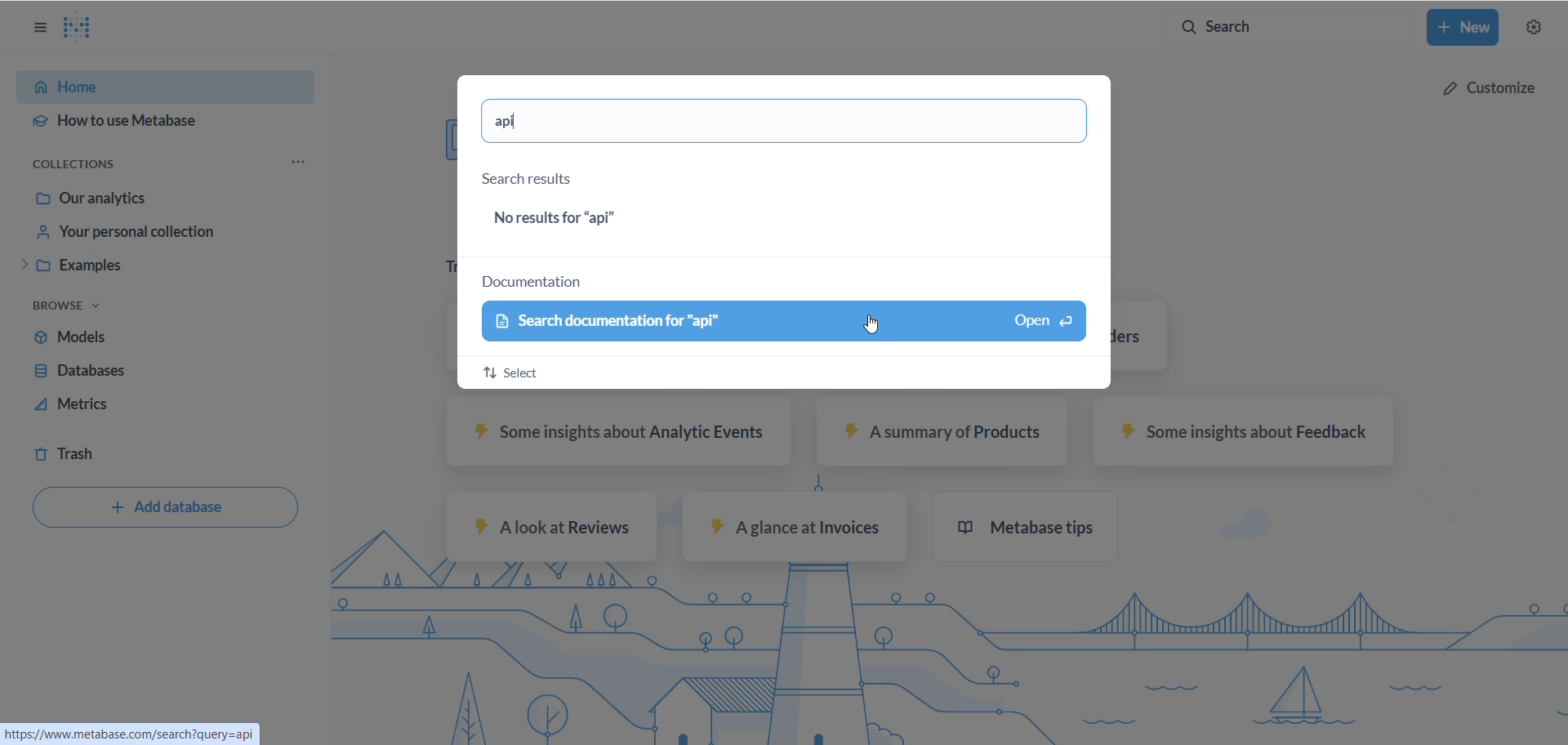  I want to click on your personal collection, so click(146, 236).